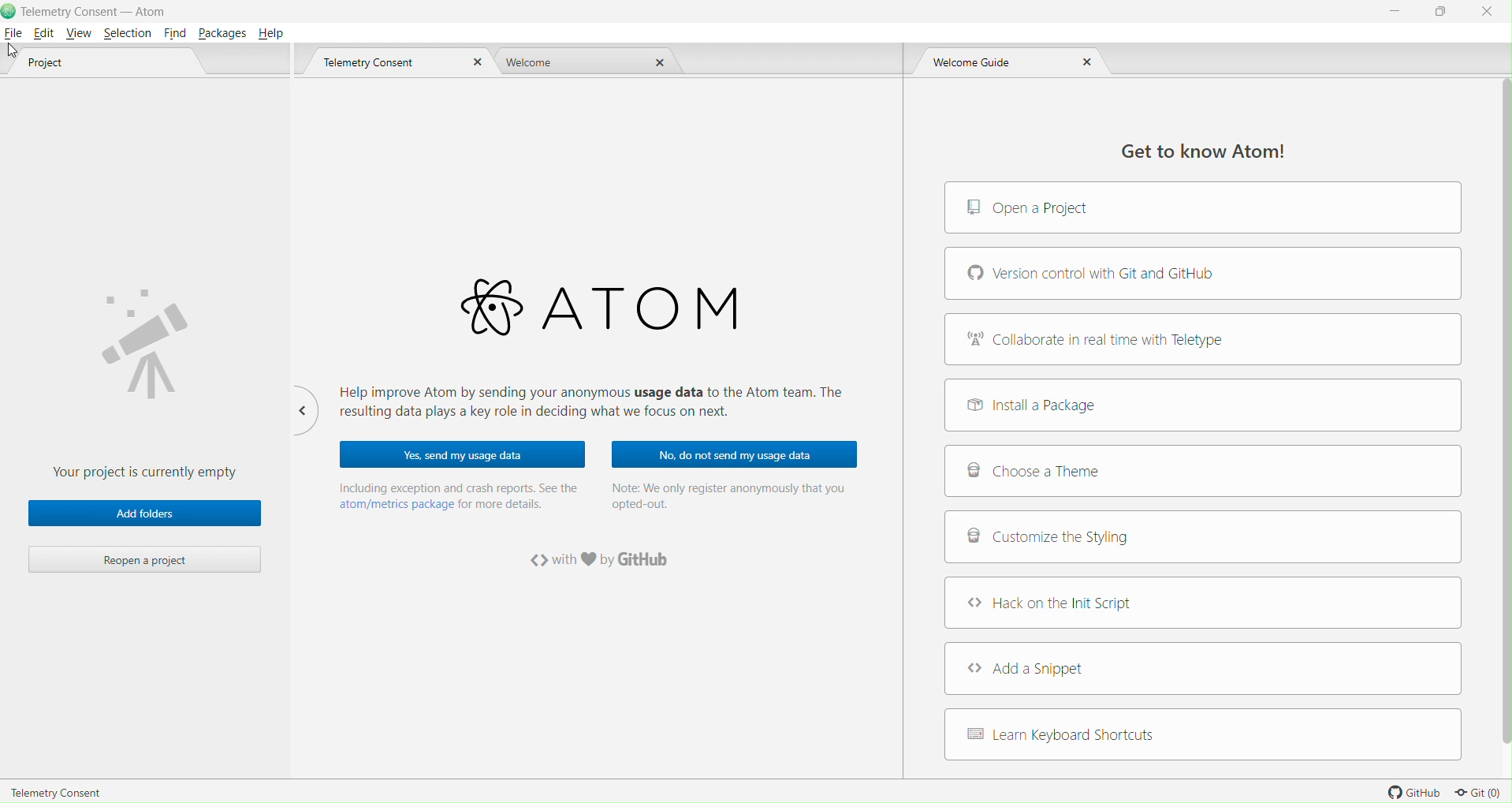 This screenshot has height=803, width=1512. What do you see at coordinates (1204, 736) in the screenshot?
I see `Learn Keyboard Shortcuts` at bounding box center [1204, 736].